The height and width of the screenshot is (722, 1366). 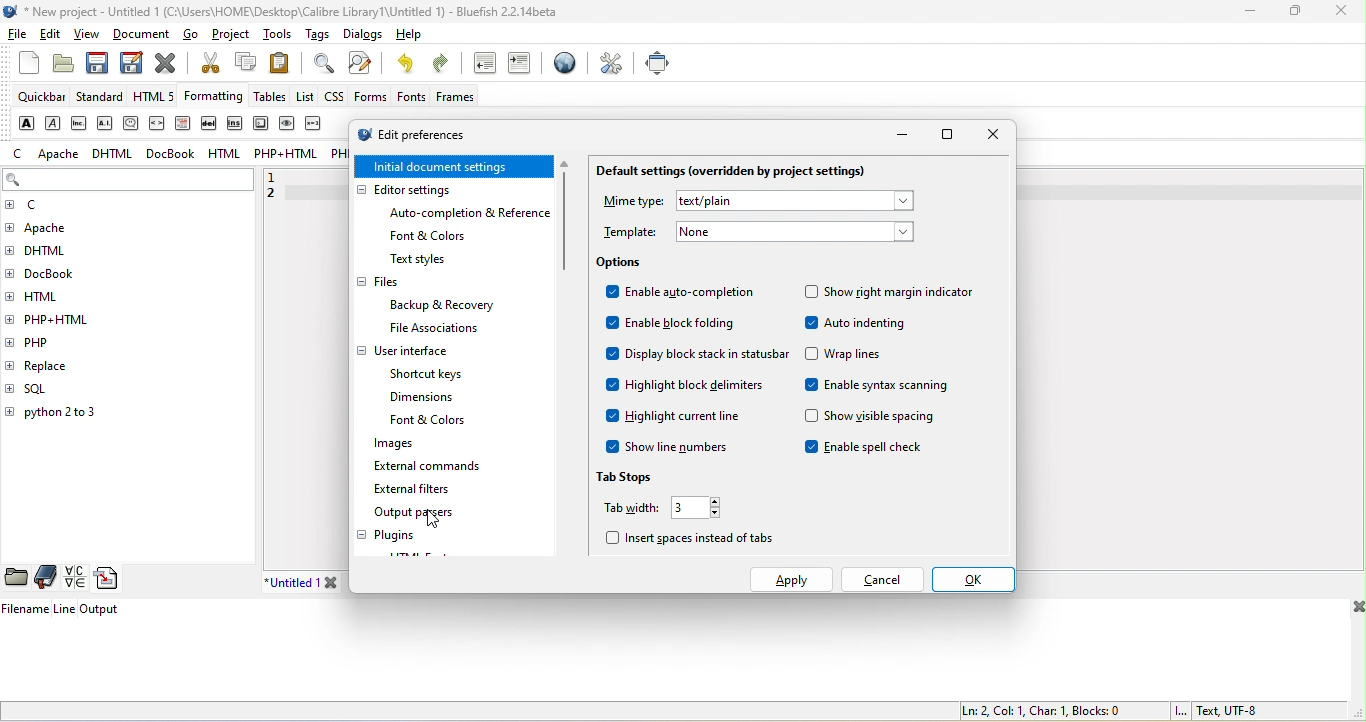 I want to click on tools, so click(x=277, y=34).